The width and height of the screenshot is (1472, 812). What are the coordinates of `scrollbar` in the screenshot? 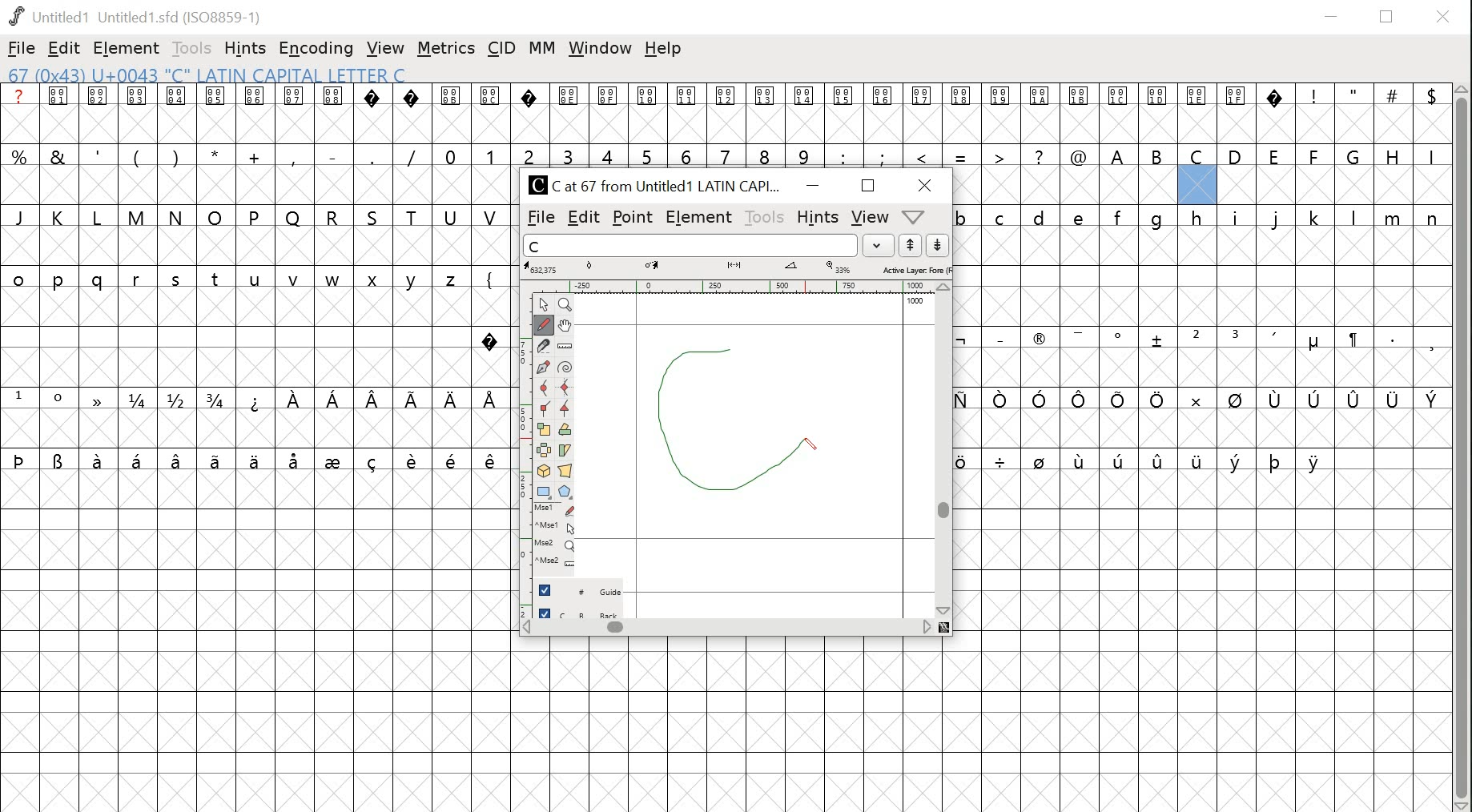 It's located at (1463, 448).